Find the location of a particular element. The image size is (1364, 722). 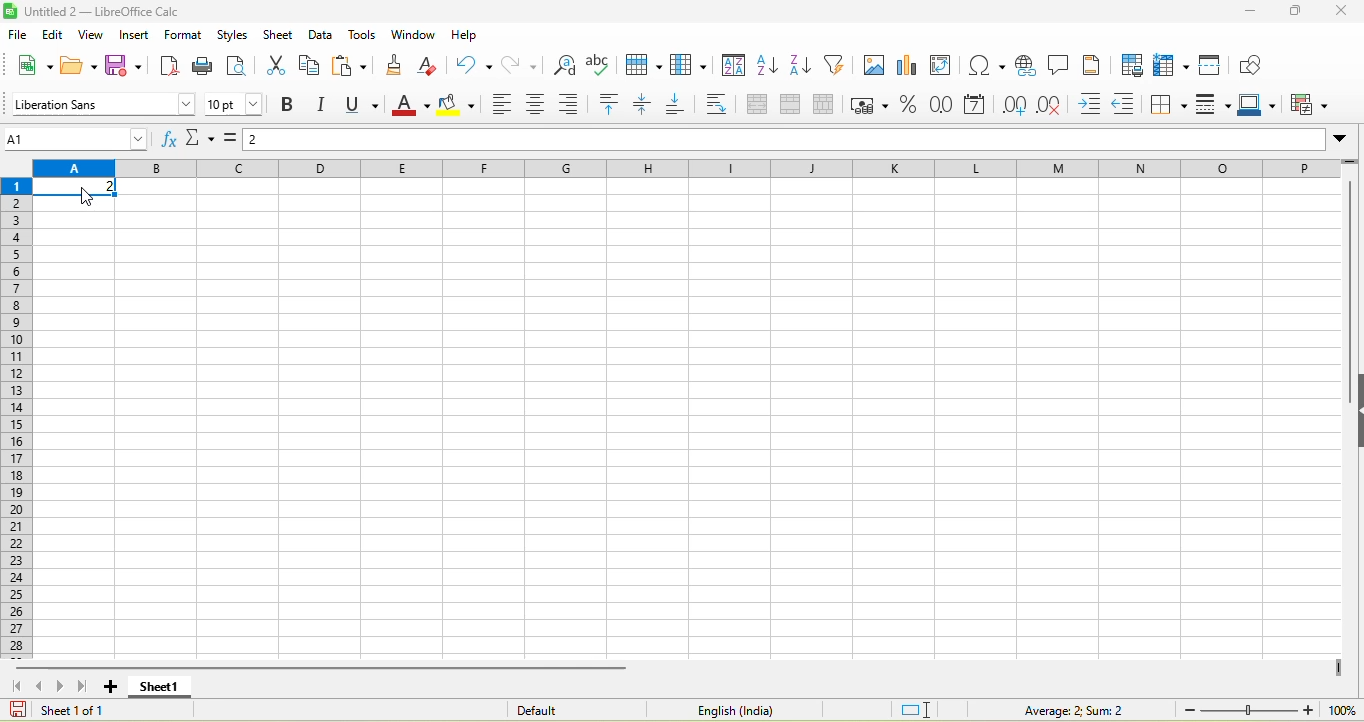

view is located at coordinates (94, 35).